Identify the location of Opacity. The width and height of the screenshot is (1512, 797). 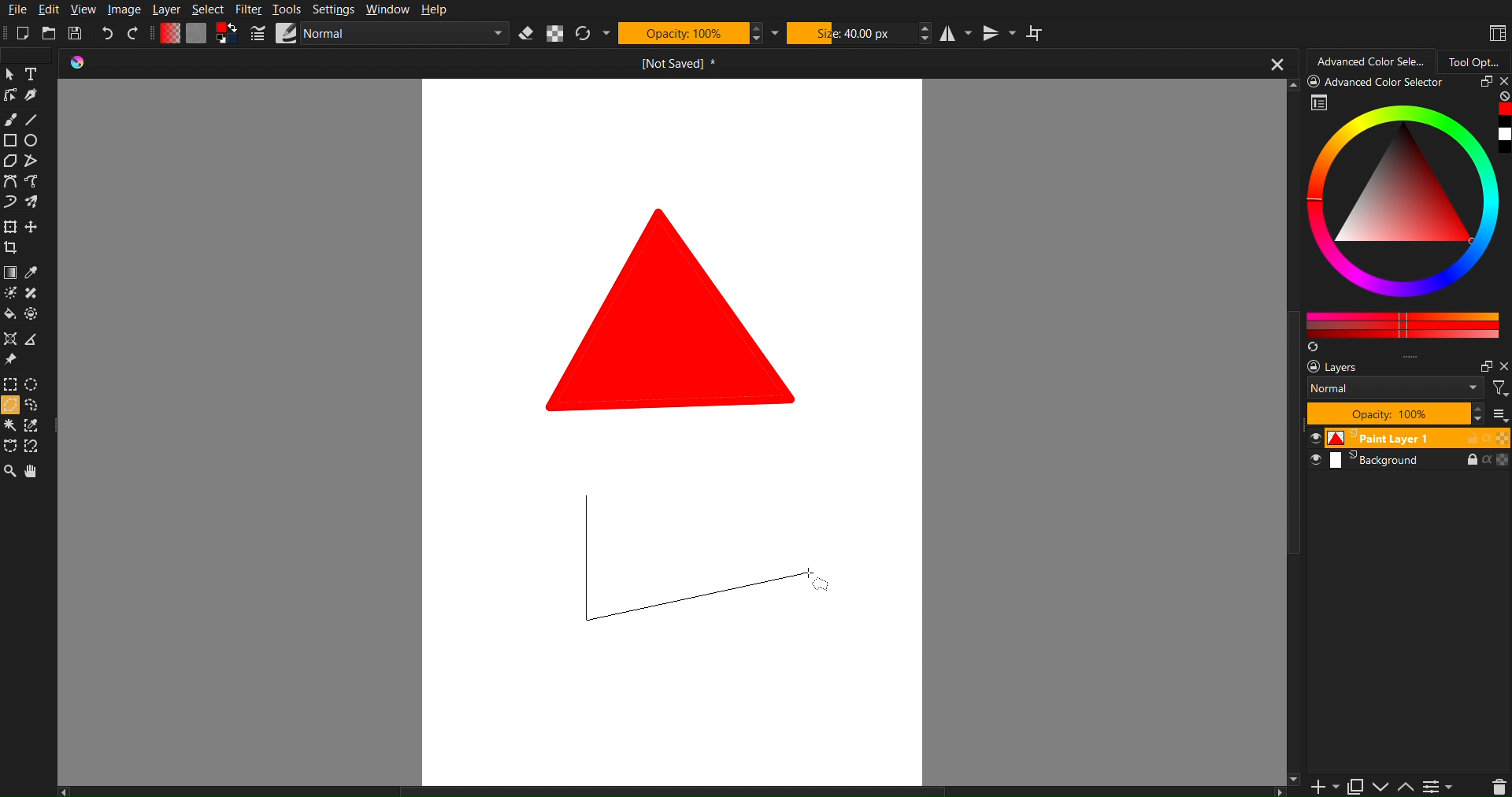
(684, 34).